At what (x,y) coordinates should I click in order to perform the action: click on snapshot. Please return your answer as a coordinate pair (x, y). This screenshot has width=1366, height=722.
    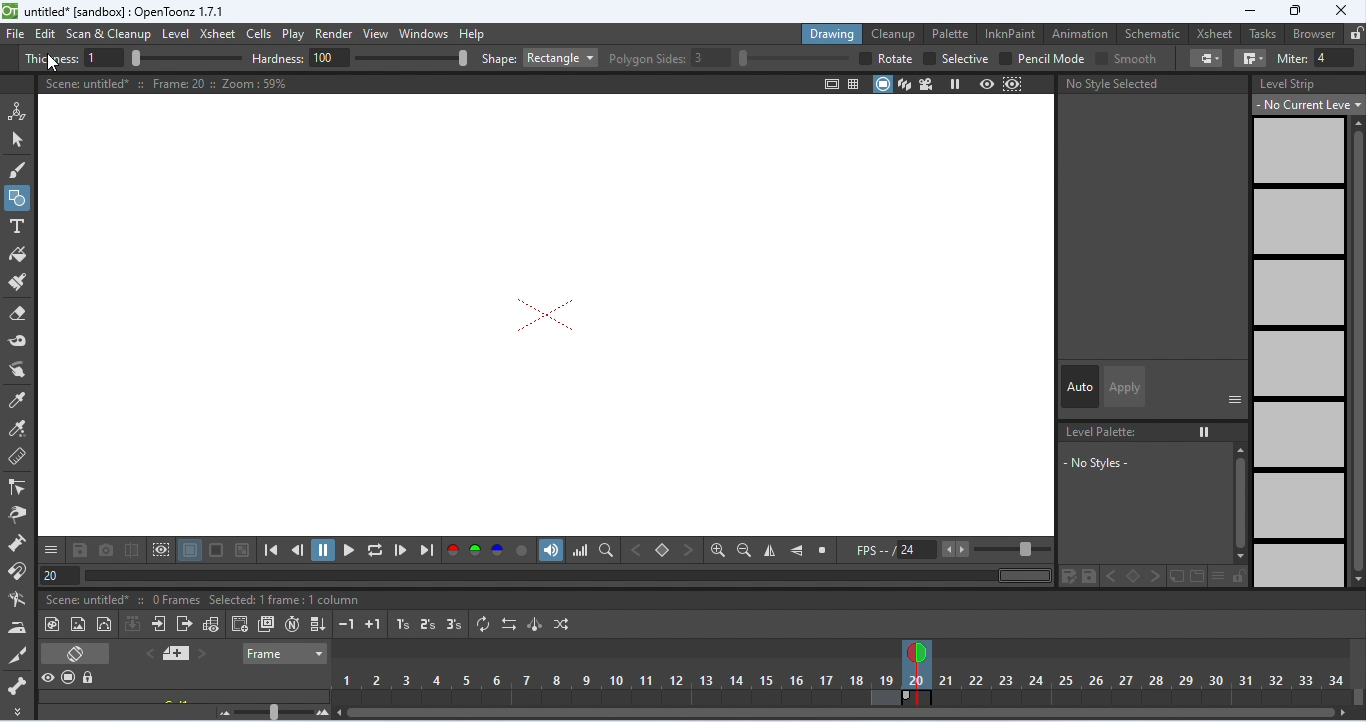
    Looking at the image, I should click on (106, 550).